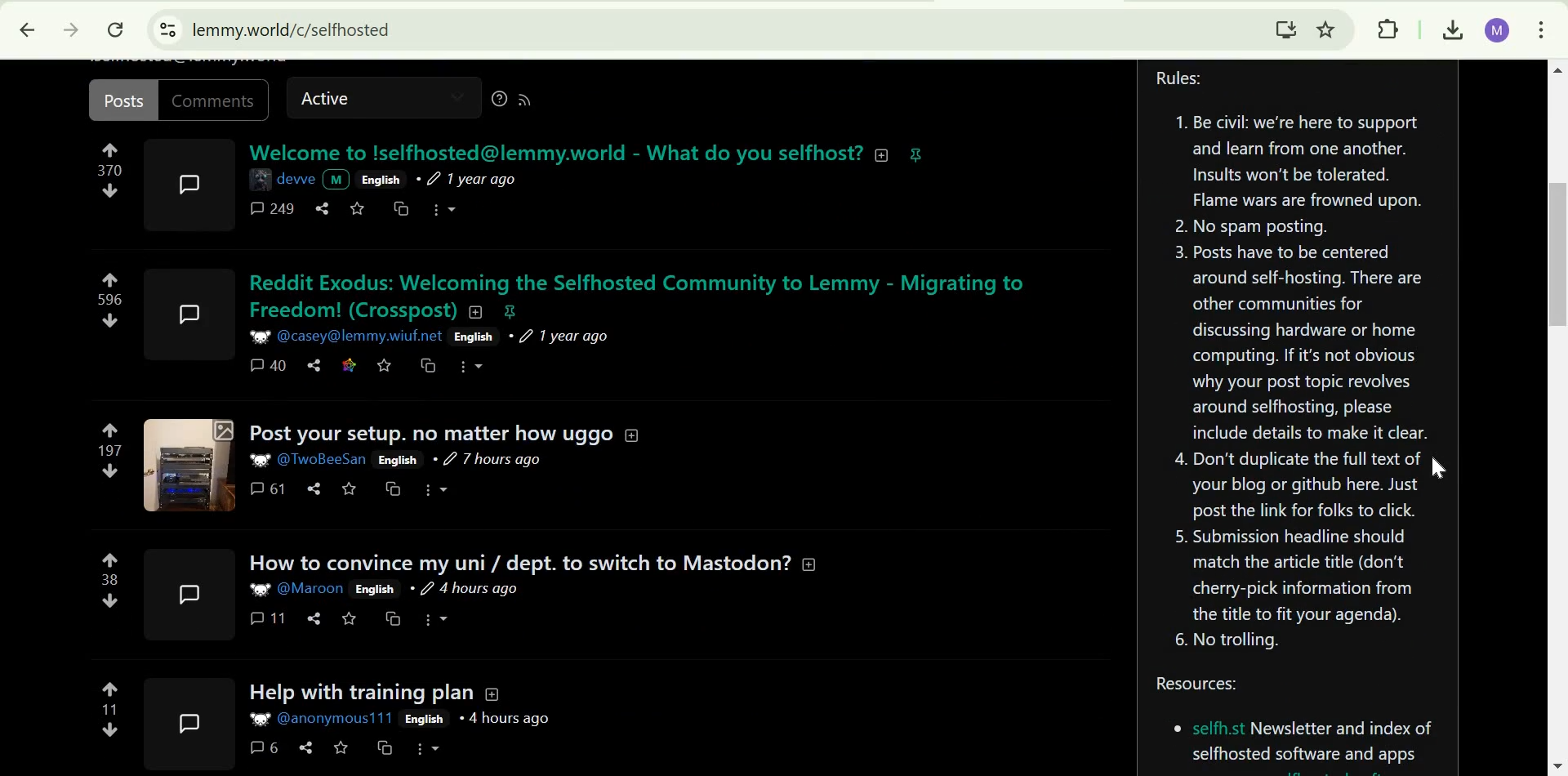  Describe the element at coordinates (1391, 30) in the screenshot. I see `extensions` at that location.